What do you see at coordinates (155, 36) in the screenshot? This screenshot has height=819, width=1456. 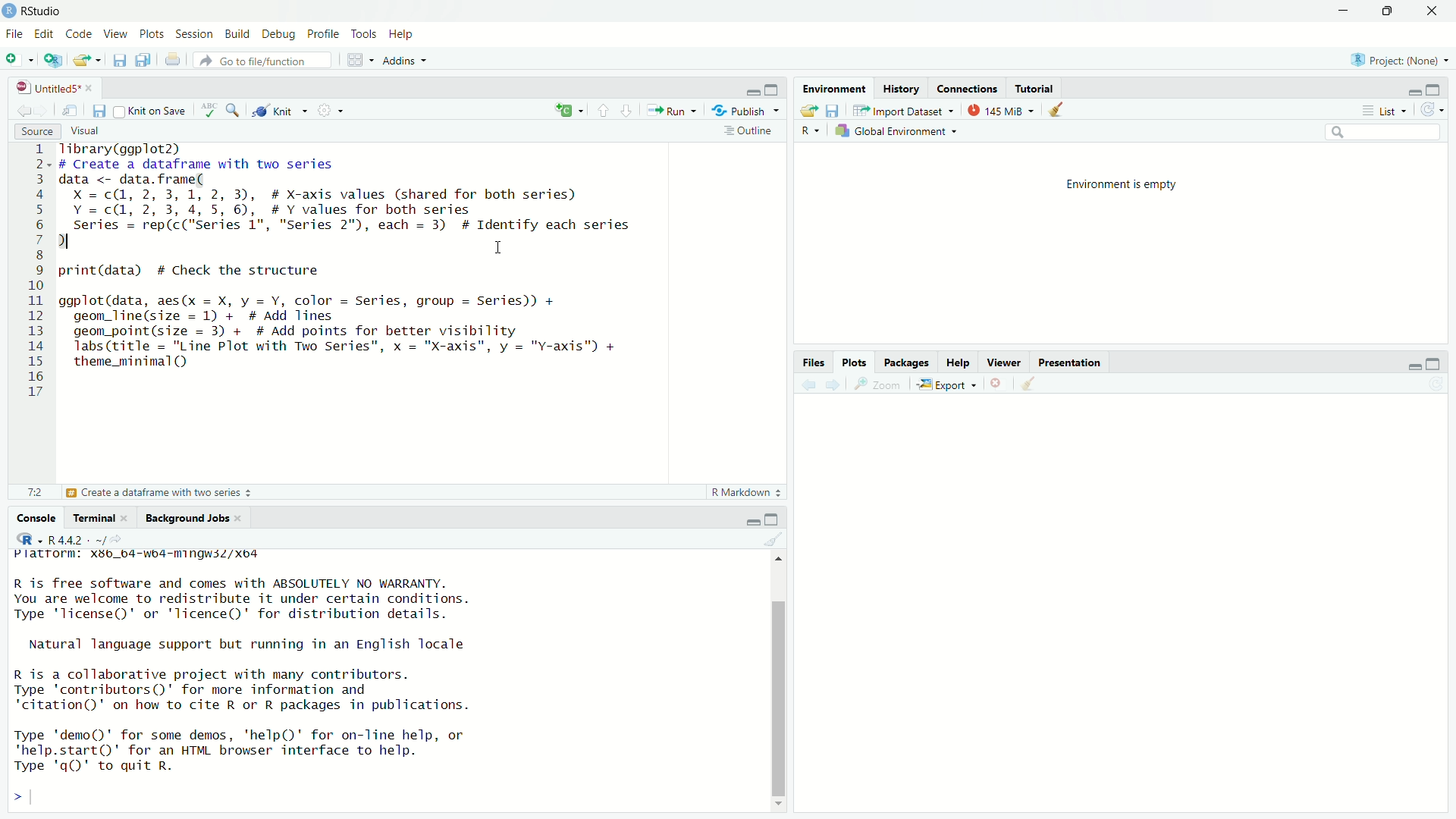 I see `Plots` at bounding box center [155, 36].